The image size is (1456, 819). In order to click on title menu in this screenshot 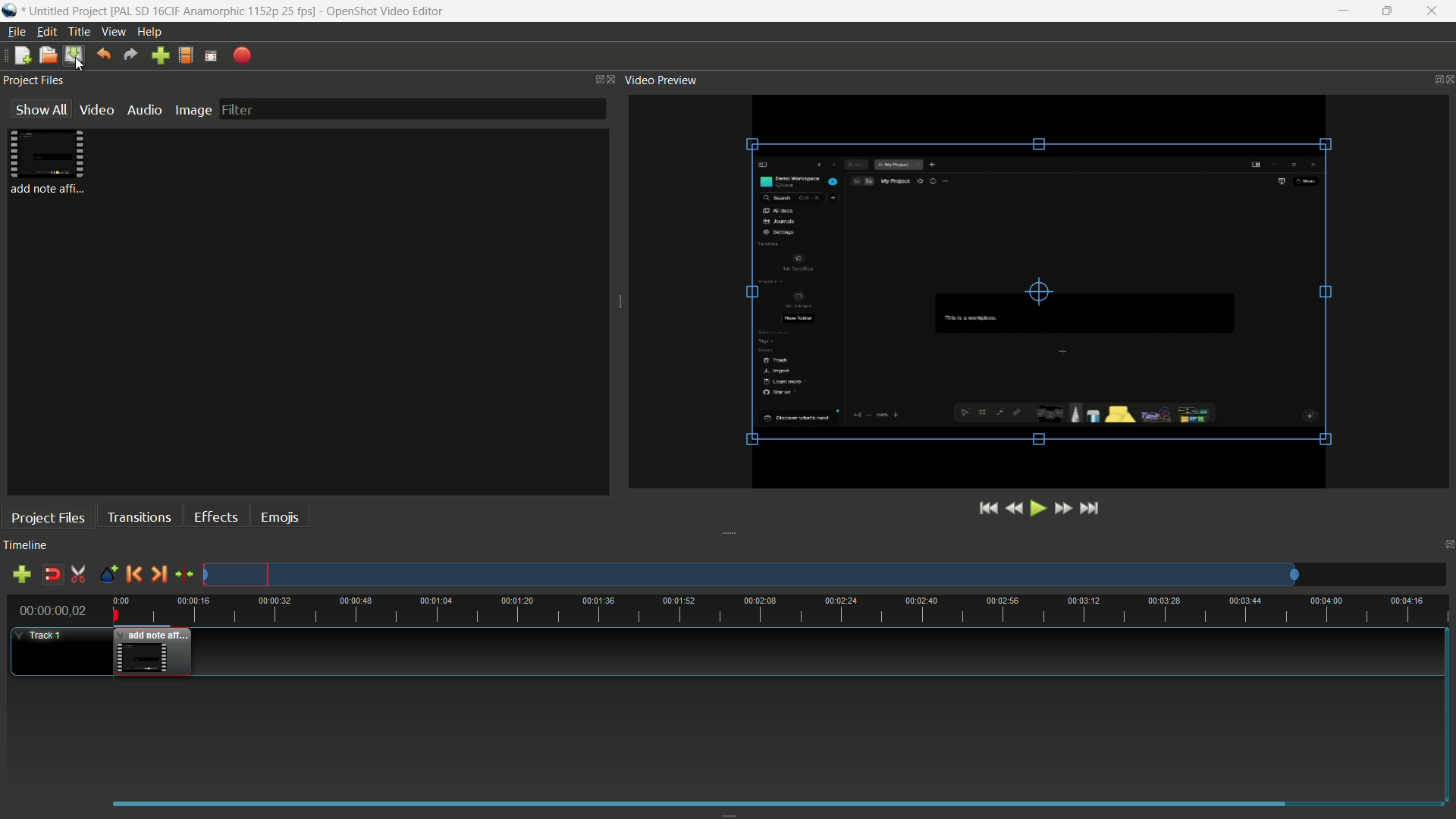, I will do `click(79, 31)`.